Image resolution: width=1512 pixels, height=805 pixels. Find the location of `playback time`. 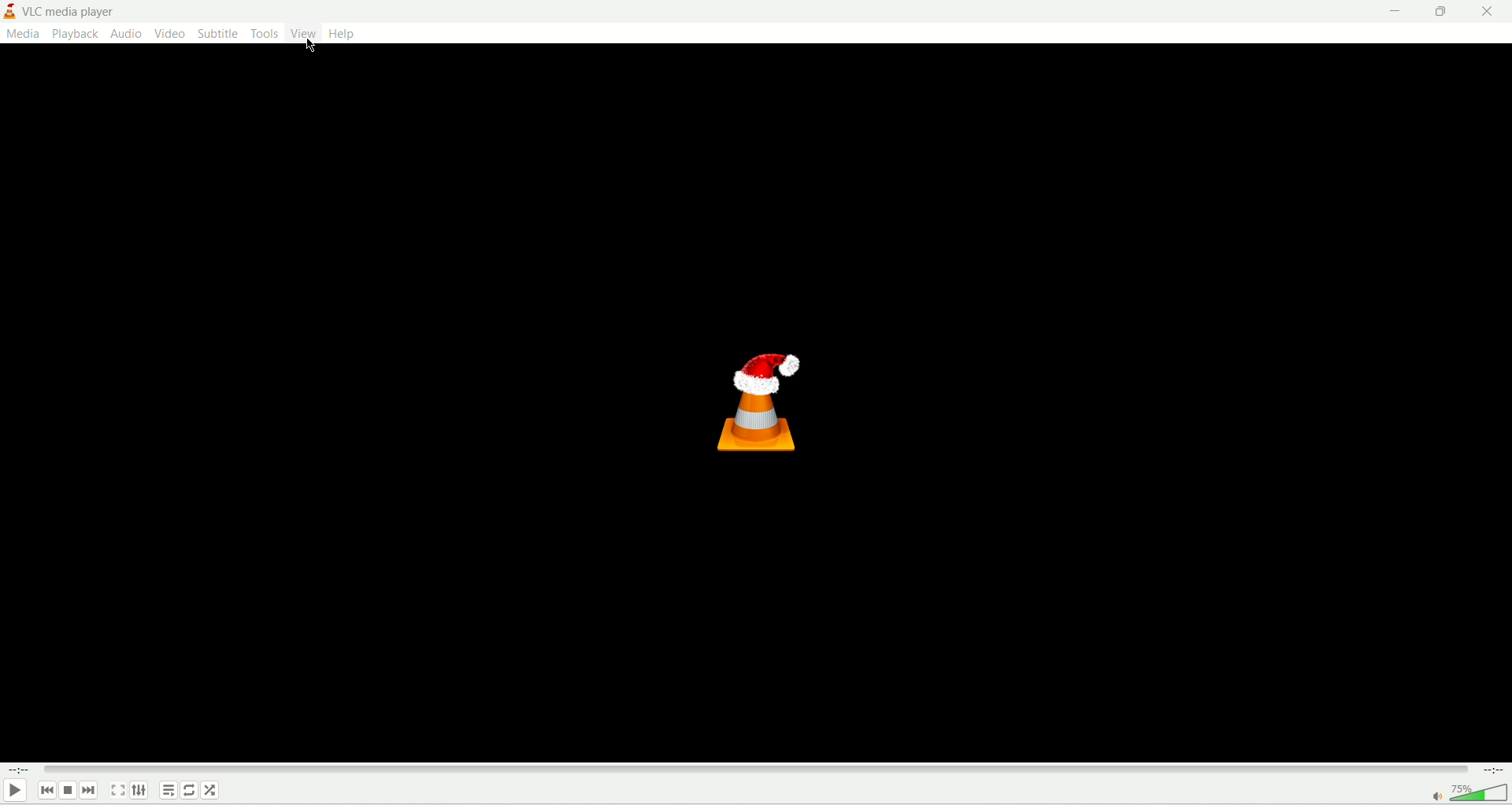

playback time is located at coordinates (18, 770).